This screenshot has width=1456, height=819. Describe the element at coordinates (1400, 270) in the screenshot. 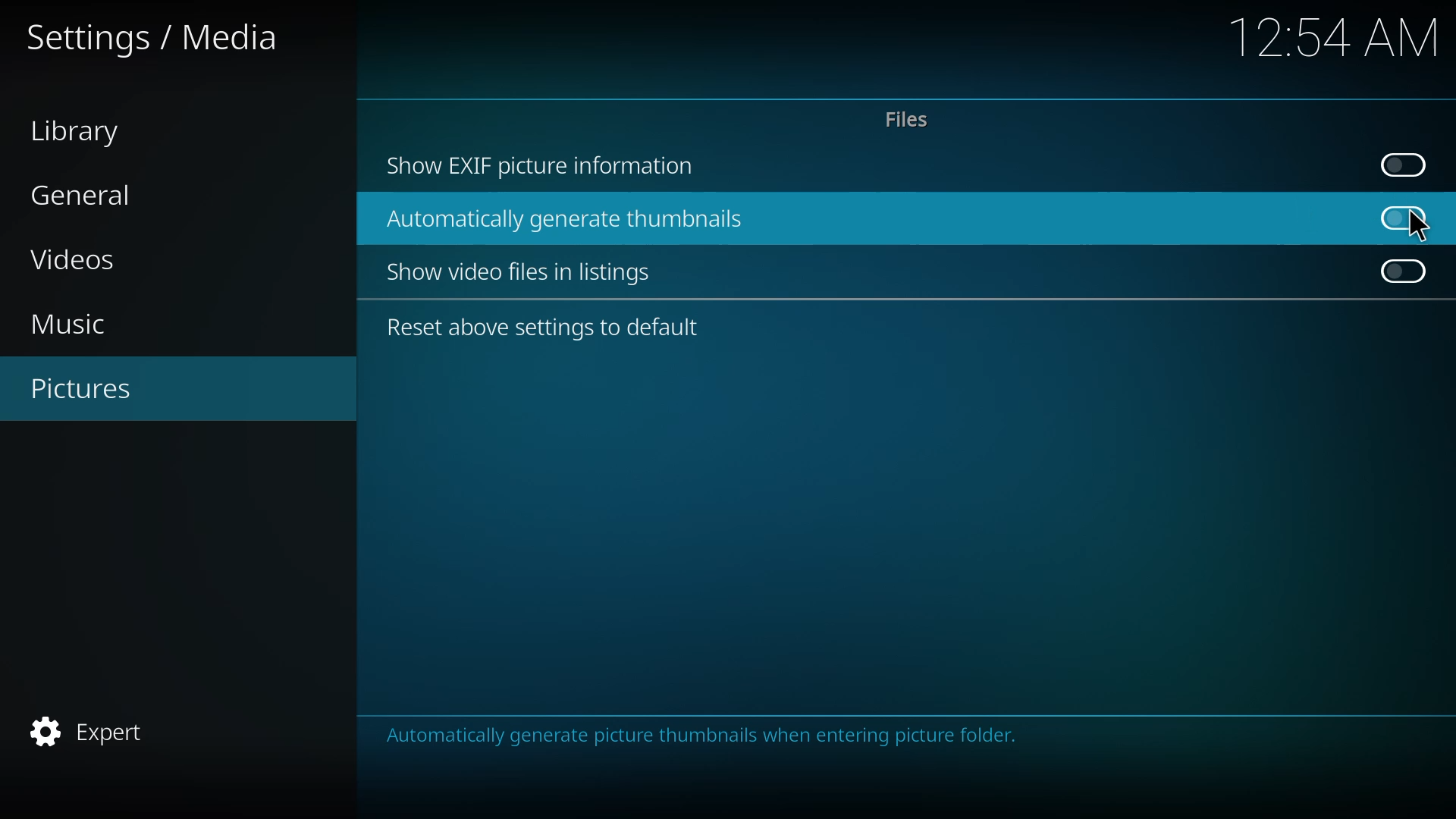

I see `click to enable` at that location.